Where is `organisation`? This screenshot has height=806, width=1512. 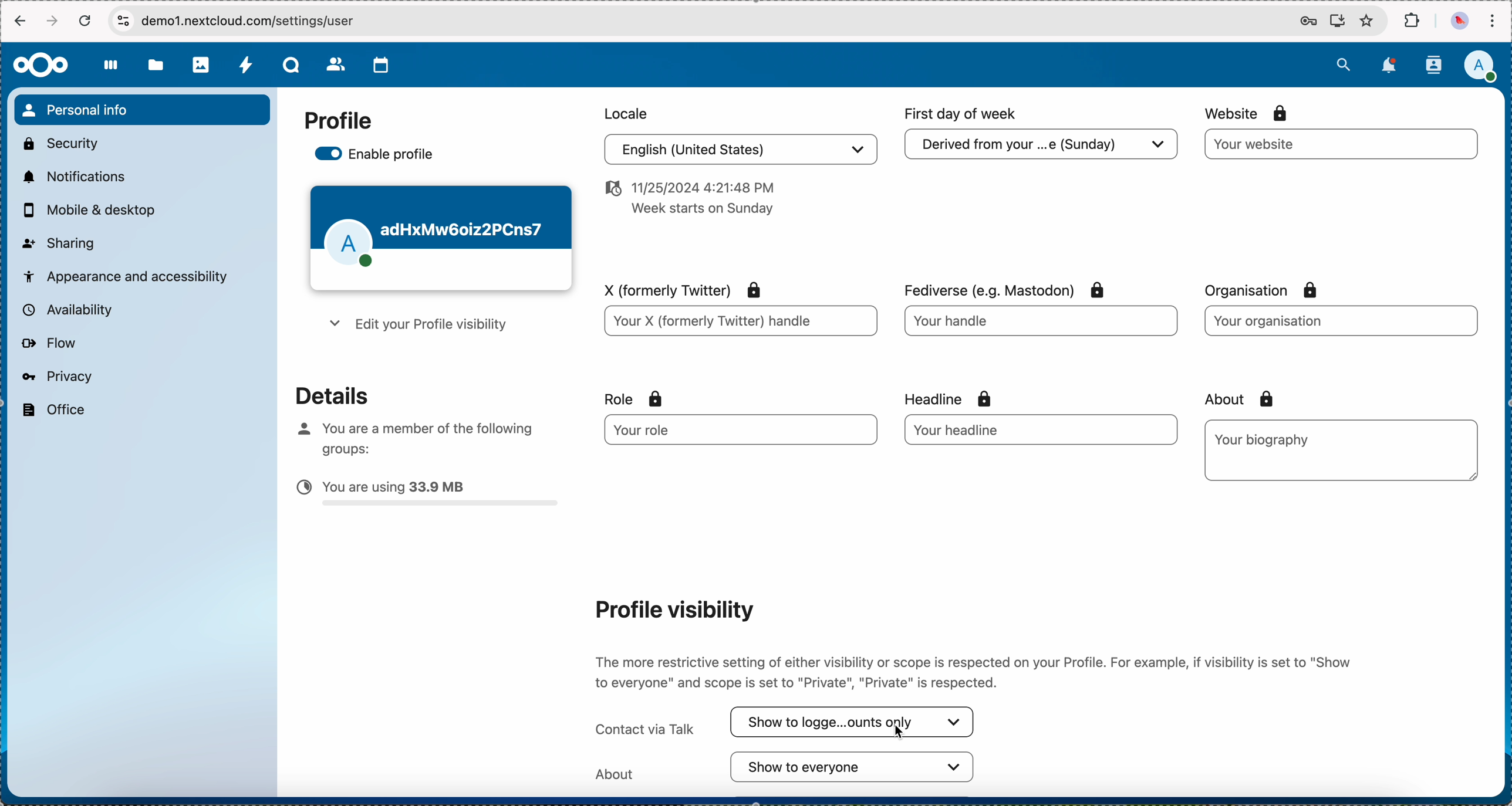 organisation is located at coordinates (1339, 320).